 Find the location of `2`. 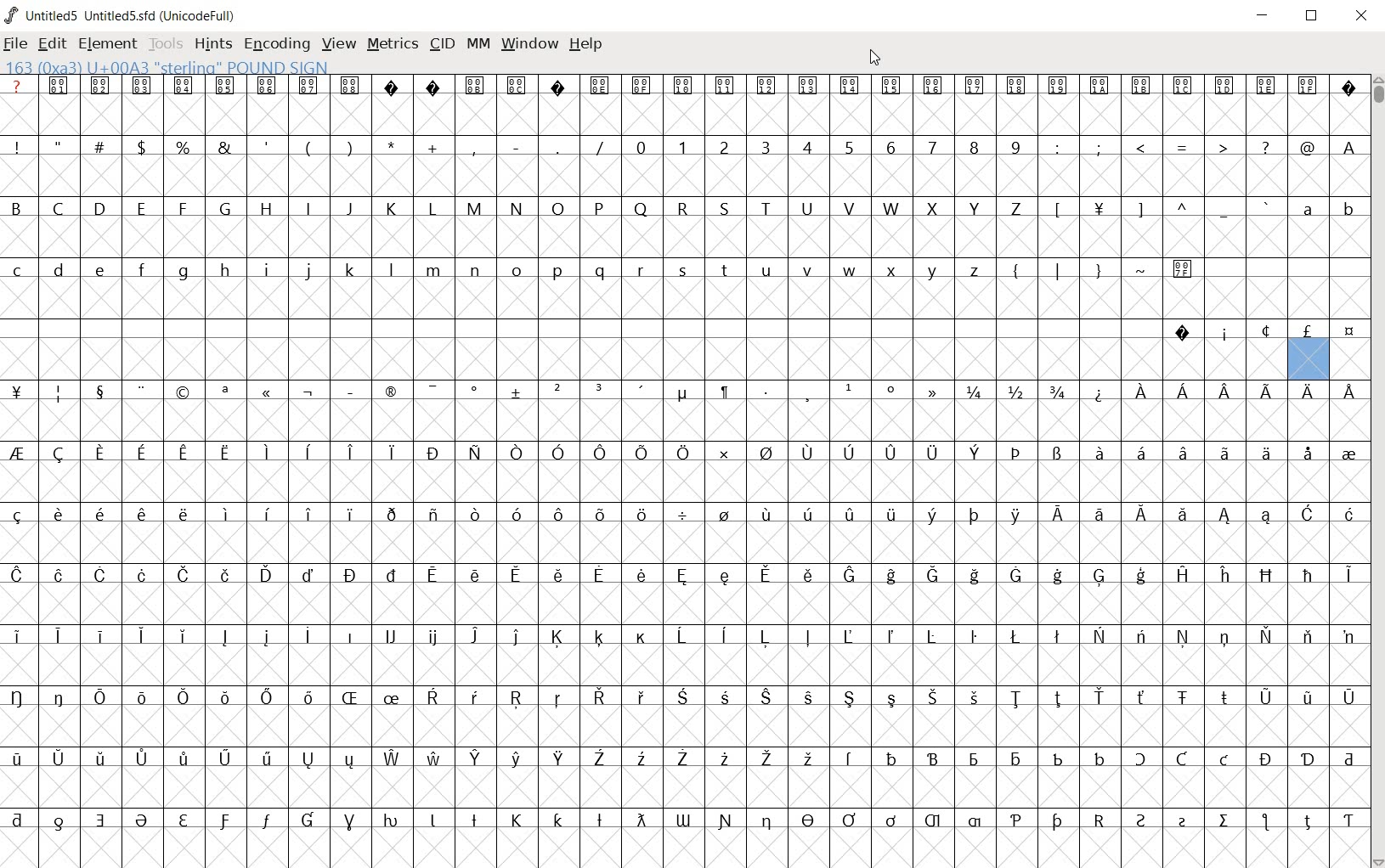

2 is located at coordinates (725, 146).